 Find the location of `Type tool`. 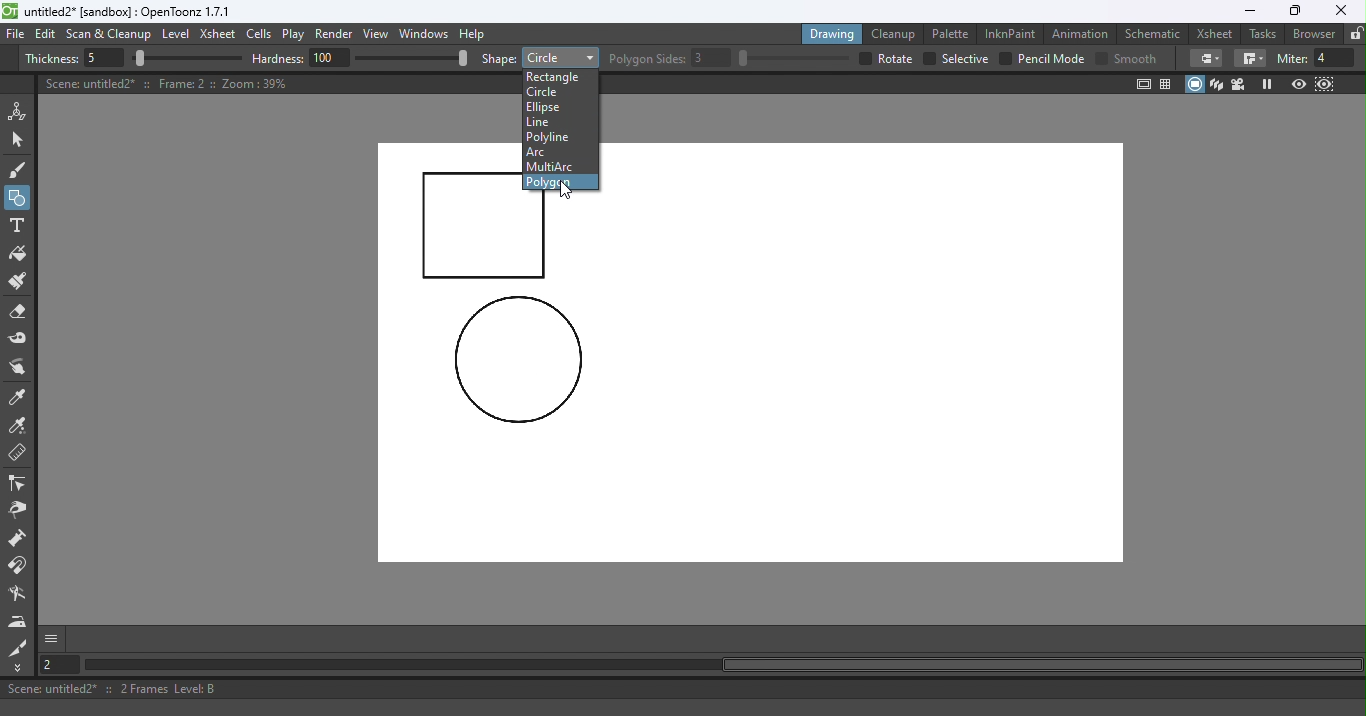

Type tool is located at coordinates (17, 227).